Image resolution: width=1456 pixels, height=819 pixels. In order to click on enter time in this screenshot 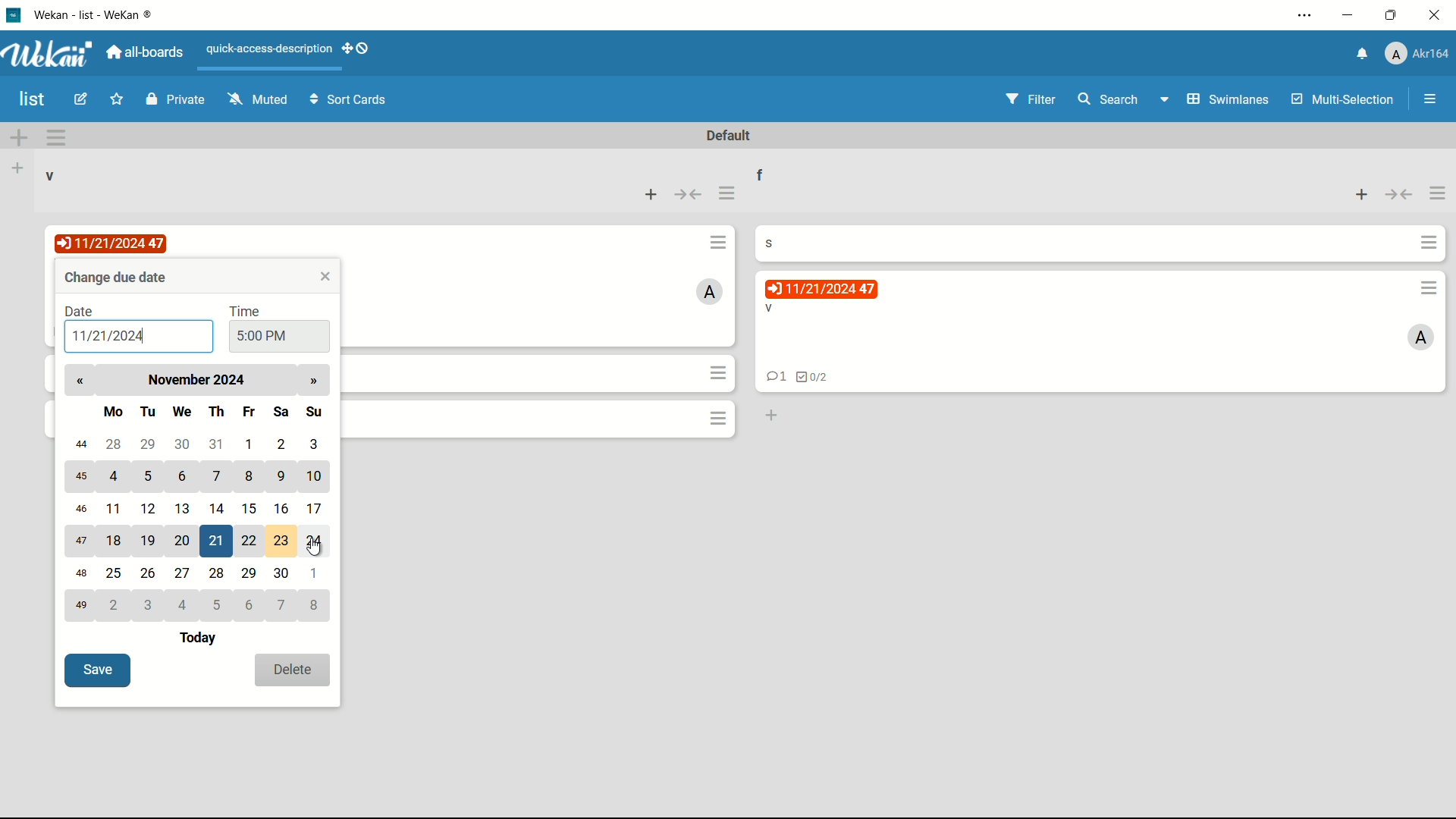, I will do `click(262, 337)`.